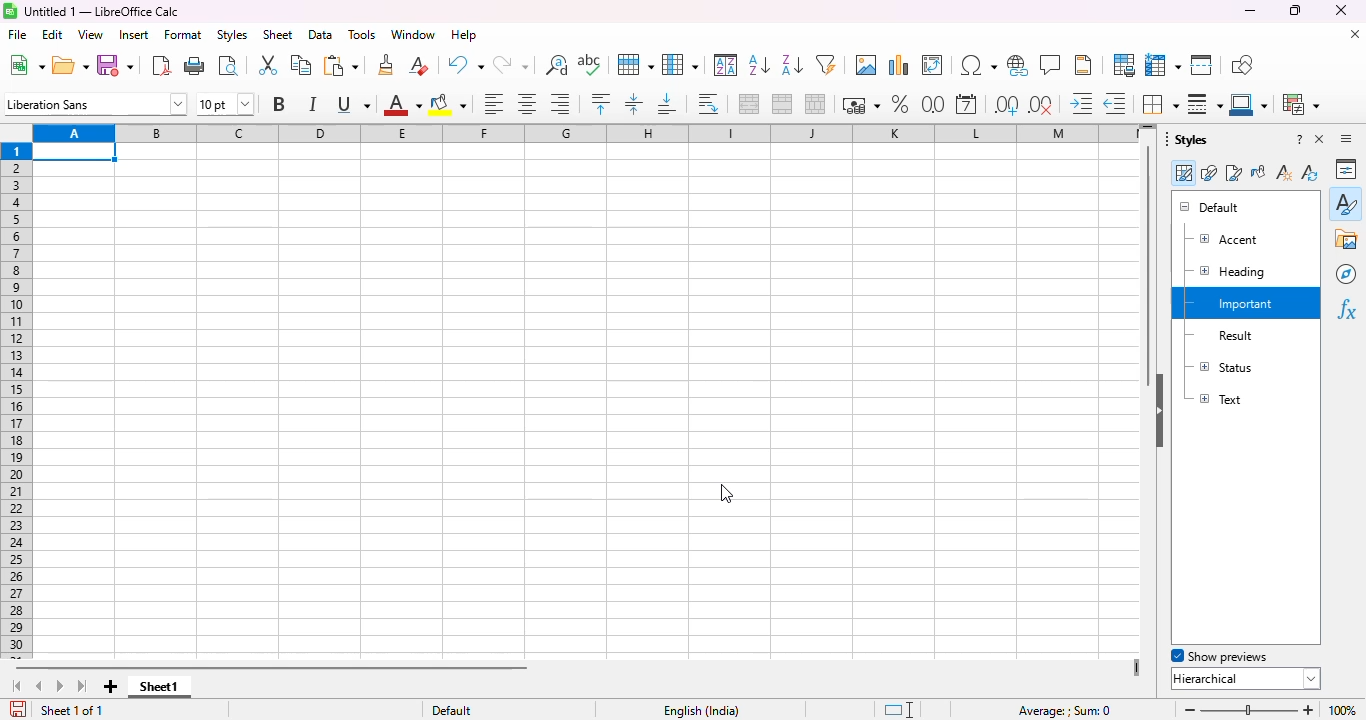 This screenshot has width=1366, height=720. I want to click on freeze rows and columns, so click(1163, 65).